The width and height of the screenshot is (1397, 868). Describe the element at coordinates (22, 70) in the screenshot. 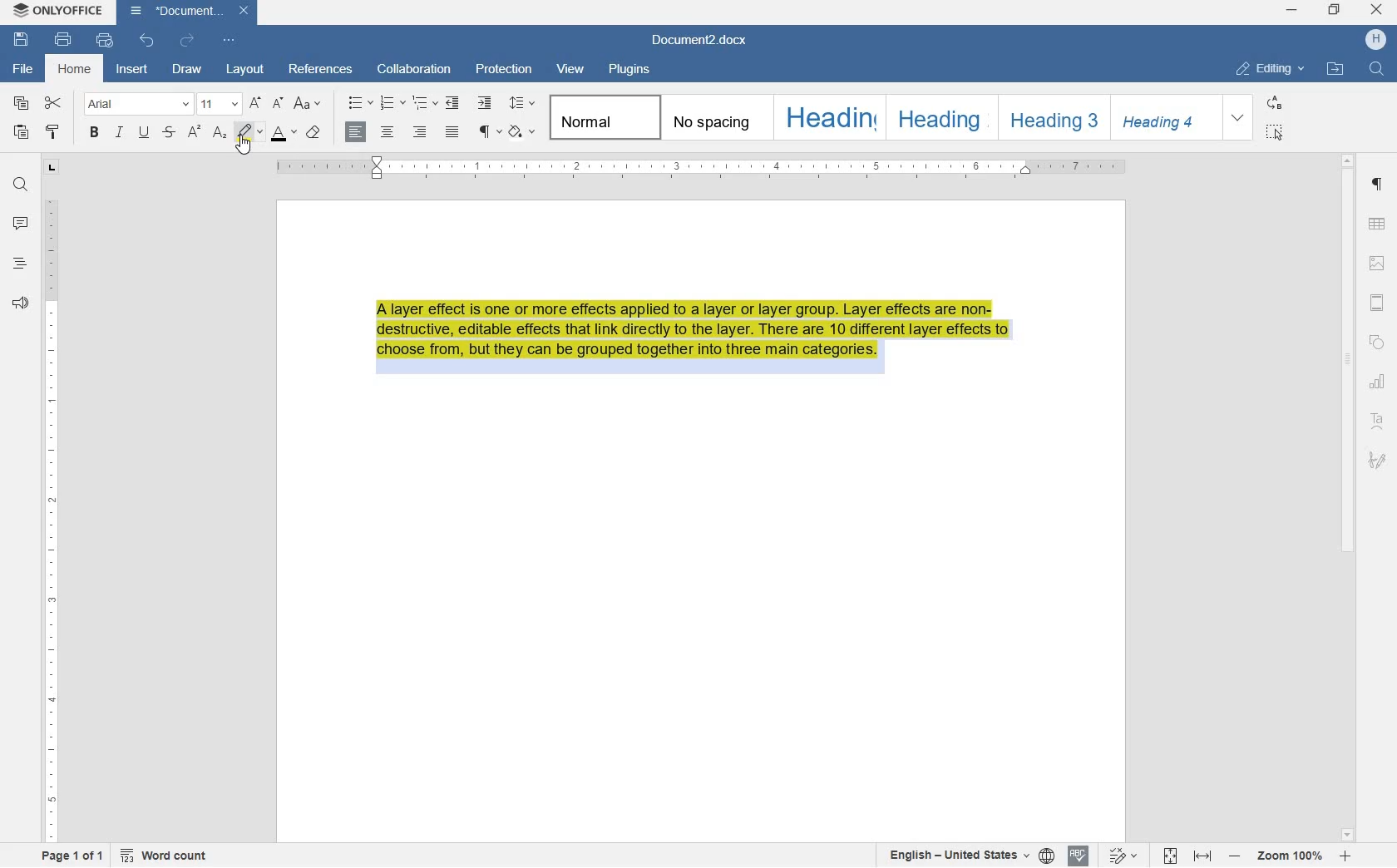

I see `FILE NAME` at that location.